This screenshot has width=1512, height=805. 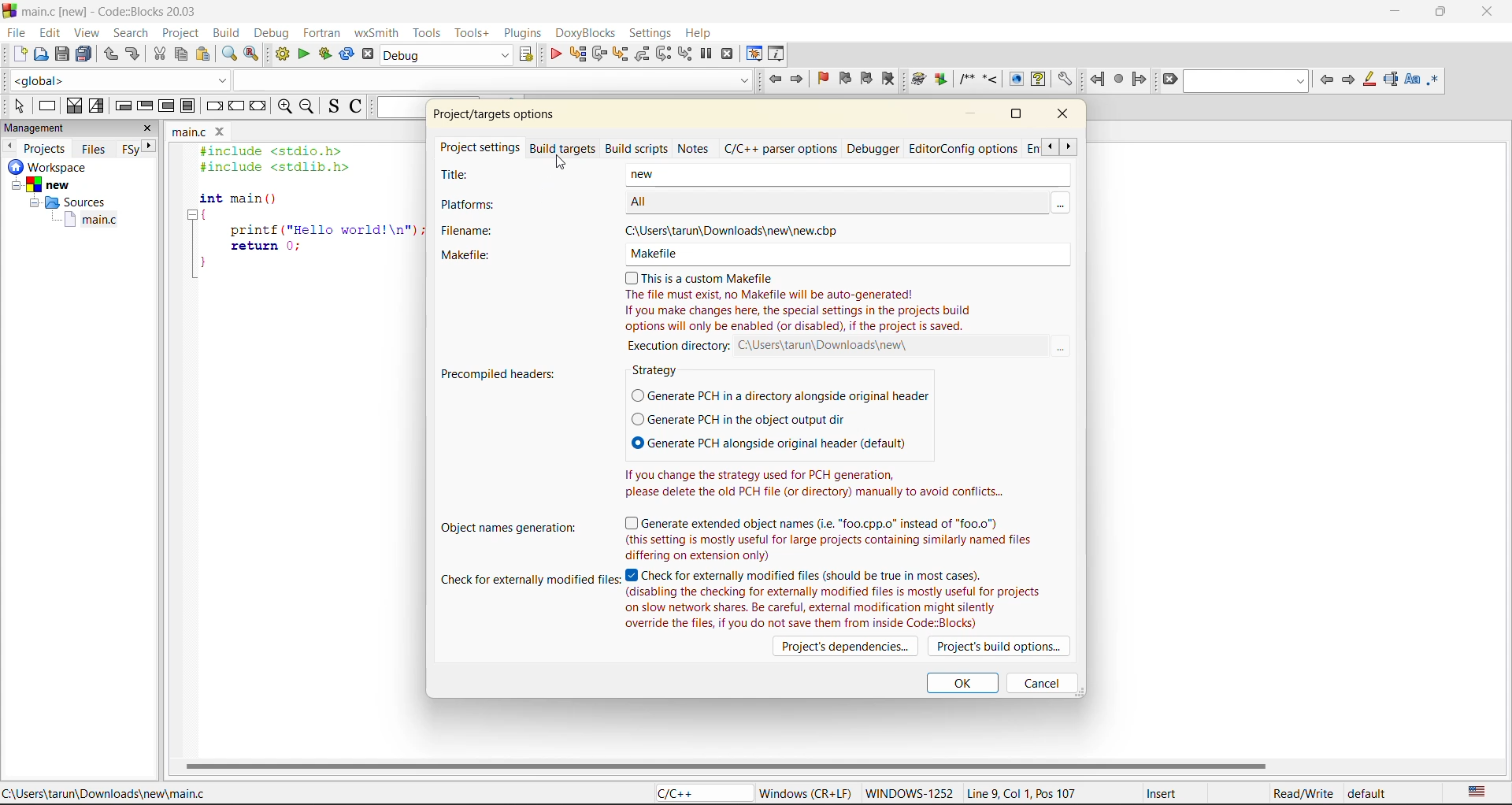 I want to click on scroll next, so click(x=1070, y=146).